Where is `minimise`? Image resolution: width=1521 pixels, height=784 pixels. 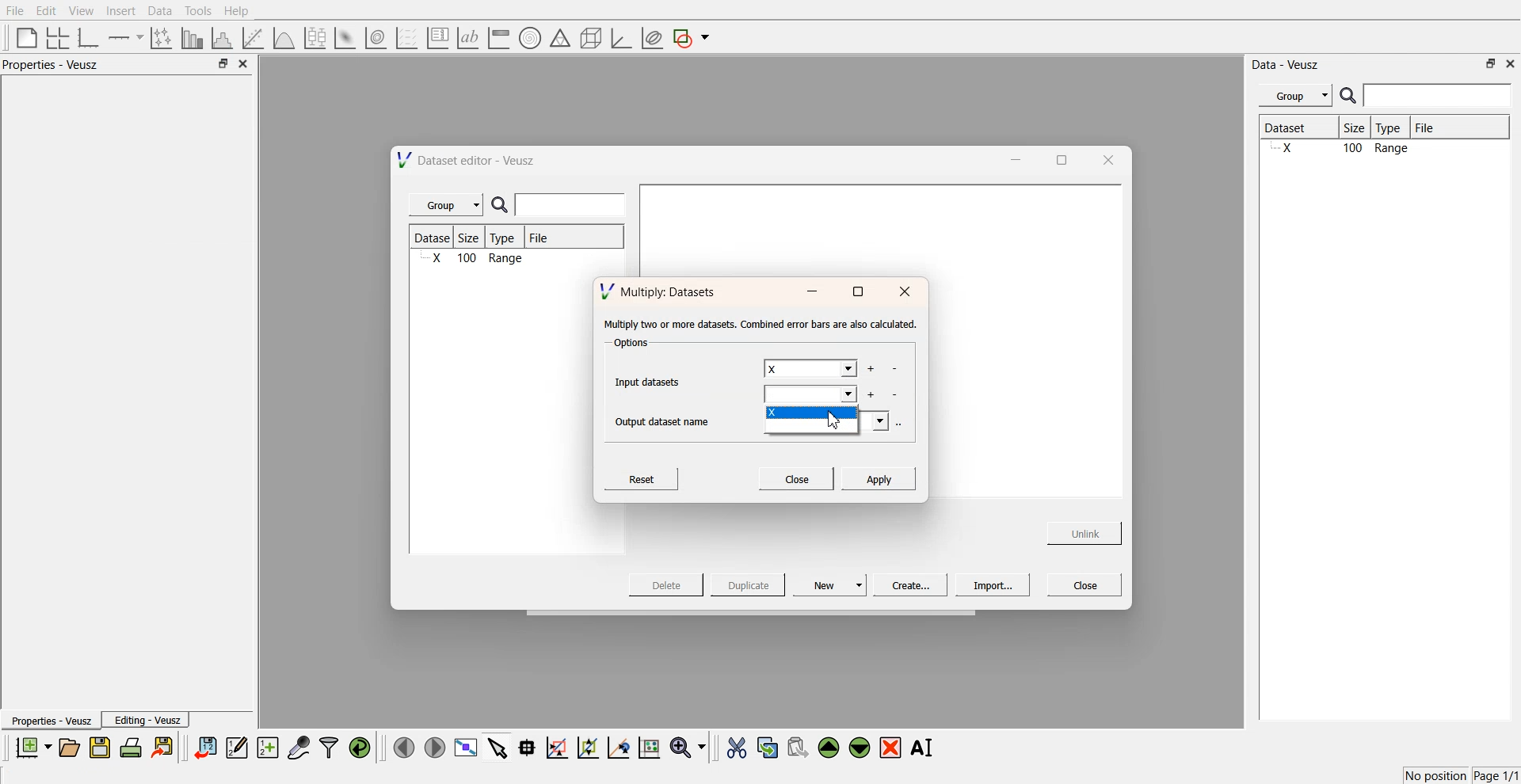
minimise is located at coordinates (1012, 158).